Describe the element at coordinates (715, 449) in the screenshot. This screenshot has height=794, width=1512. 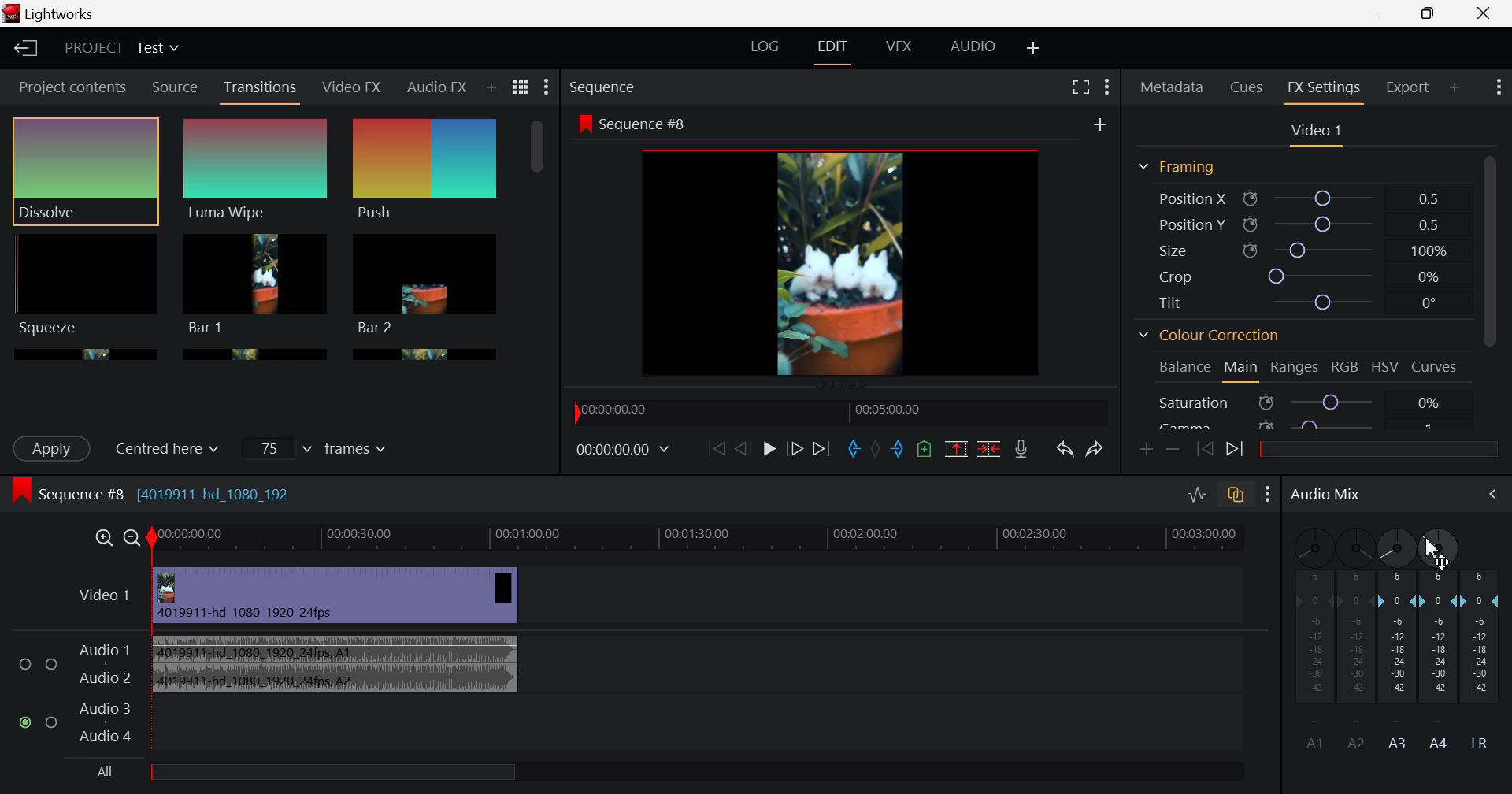
I see `To start` at that location.